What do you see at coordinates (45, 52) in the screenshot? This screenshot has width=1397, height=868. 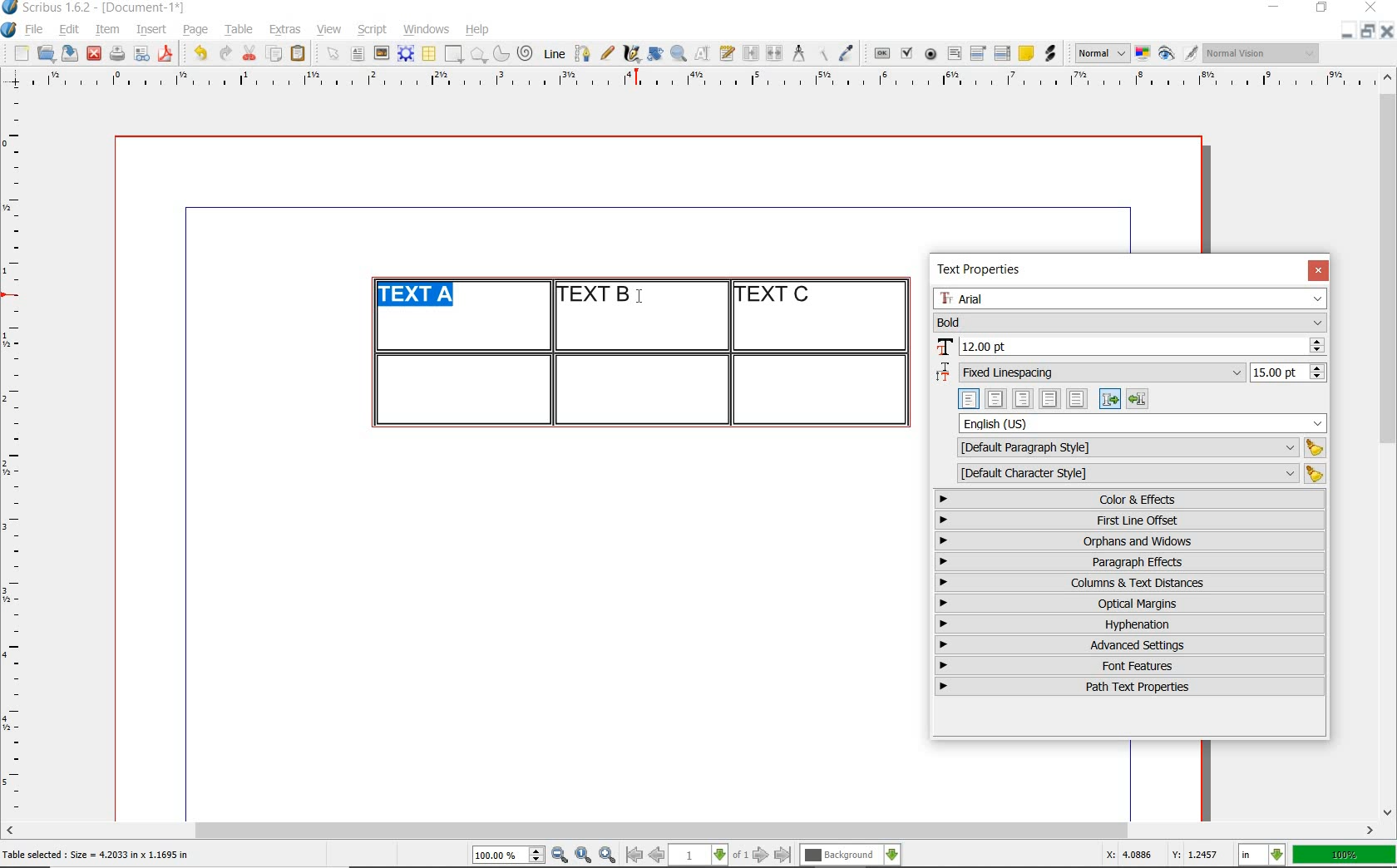 I see `open` at bounding box center [45, 52].